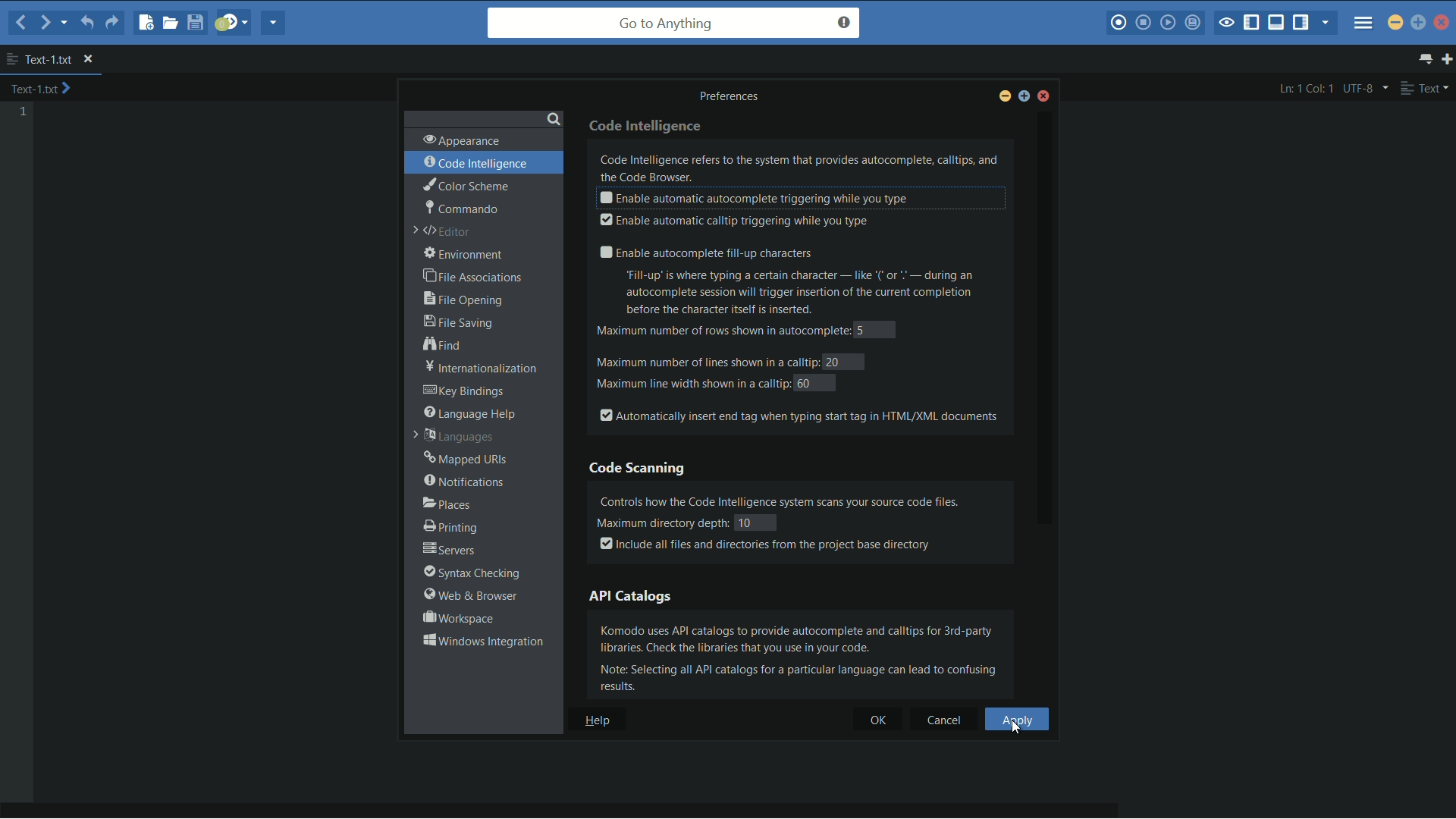 The width and height of the screenshot is (1456, 819). I want to click on forward, so click(42, 22).